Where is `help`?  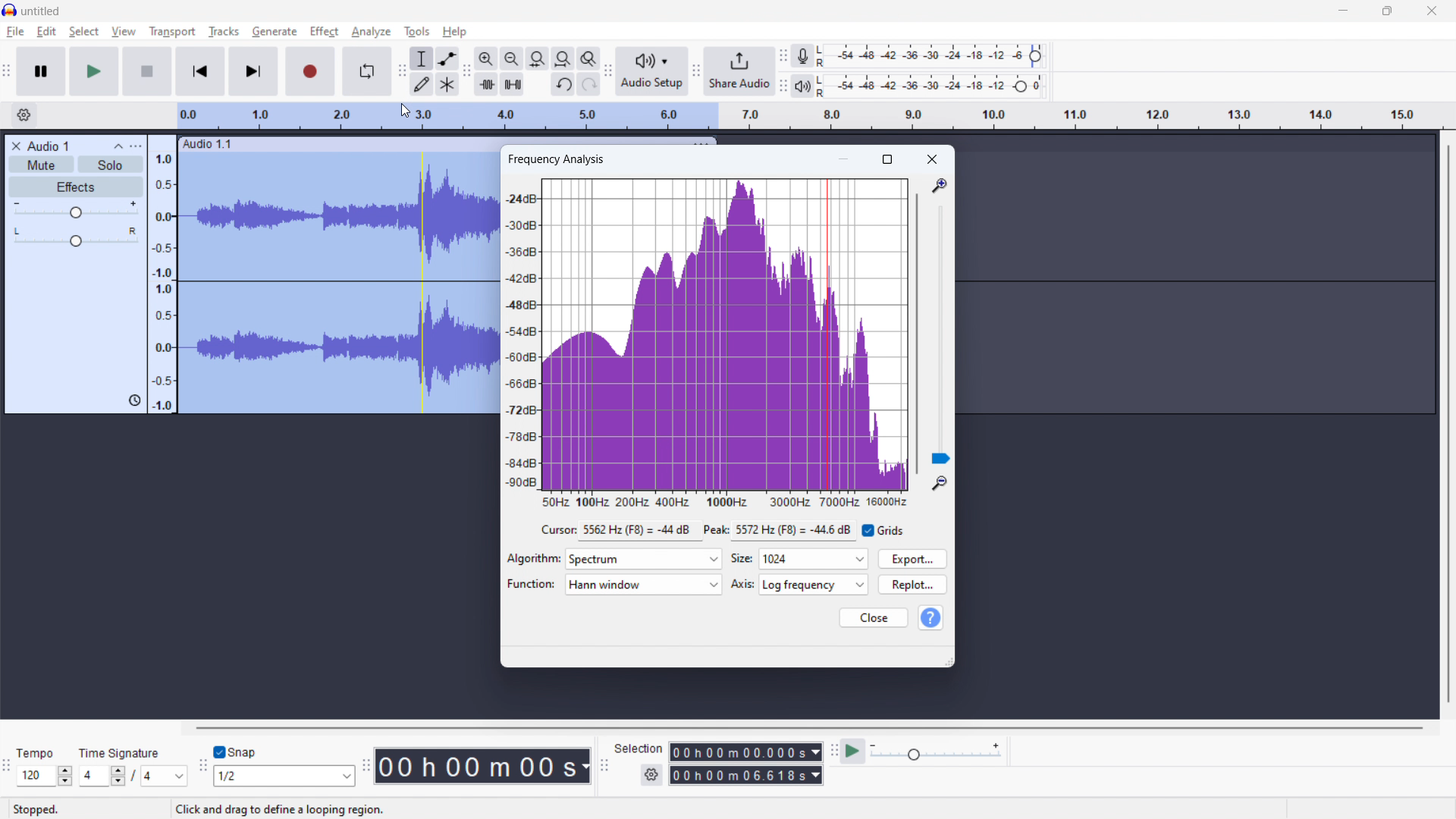
help is located at coordinates (931, 618).